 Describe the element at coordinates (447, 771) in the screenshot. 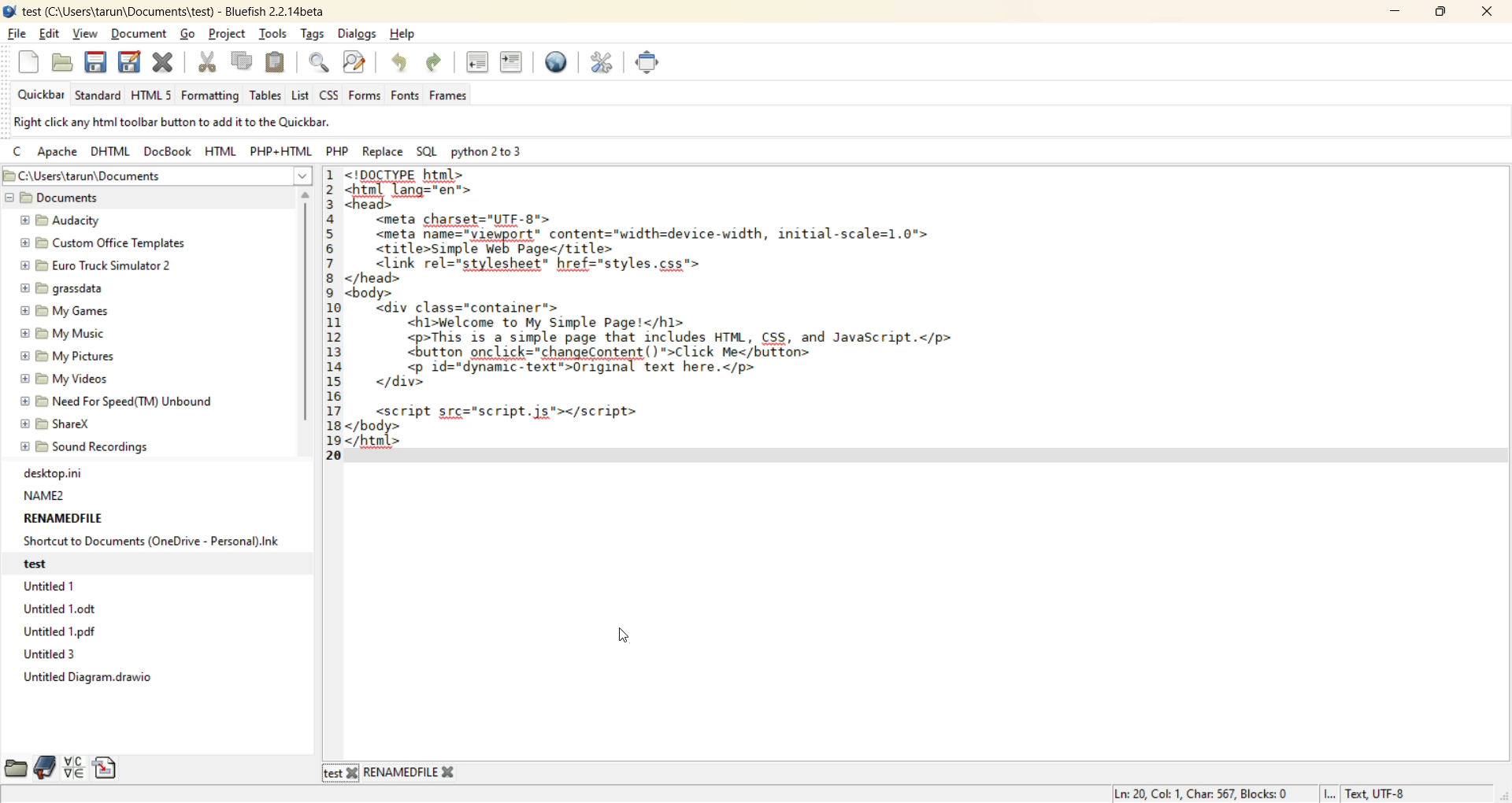

I see `close` at that location.